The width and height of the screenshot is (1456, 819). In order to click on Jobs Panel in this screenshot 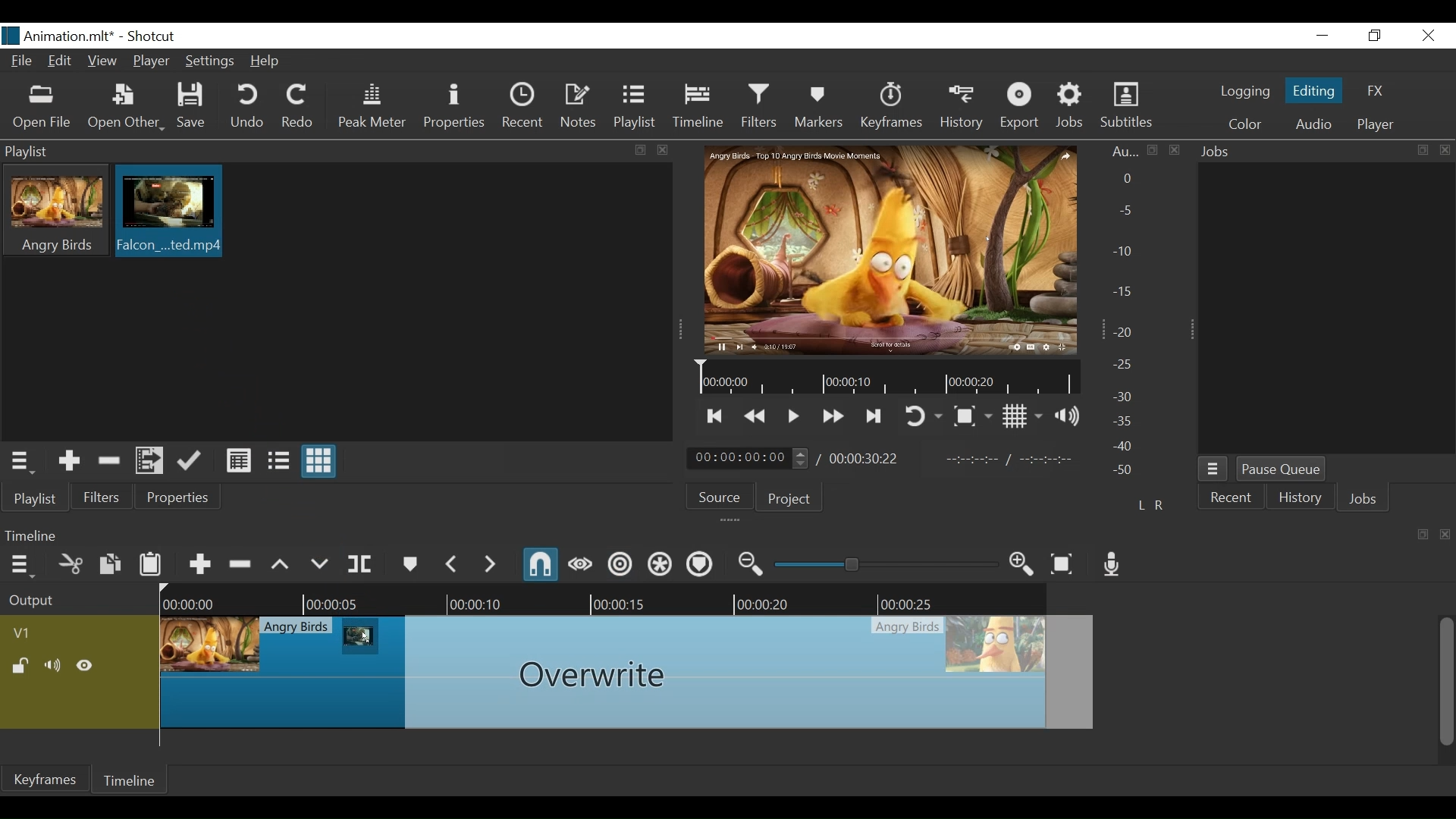, I will do `click(1328, 311)`.